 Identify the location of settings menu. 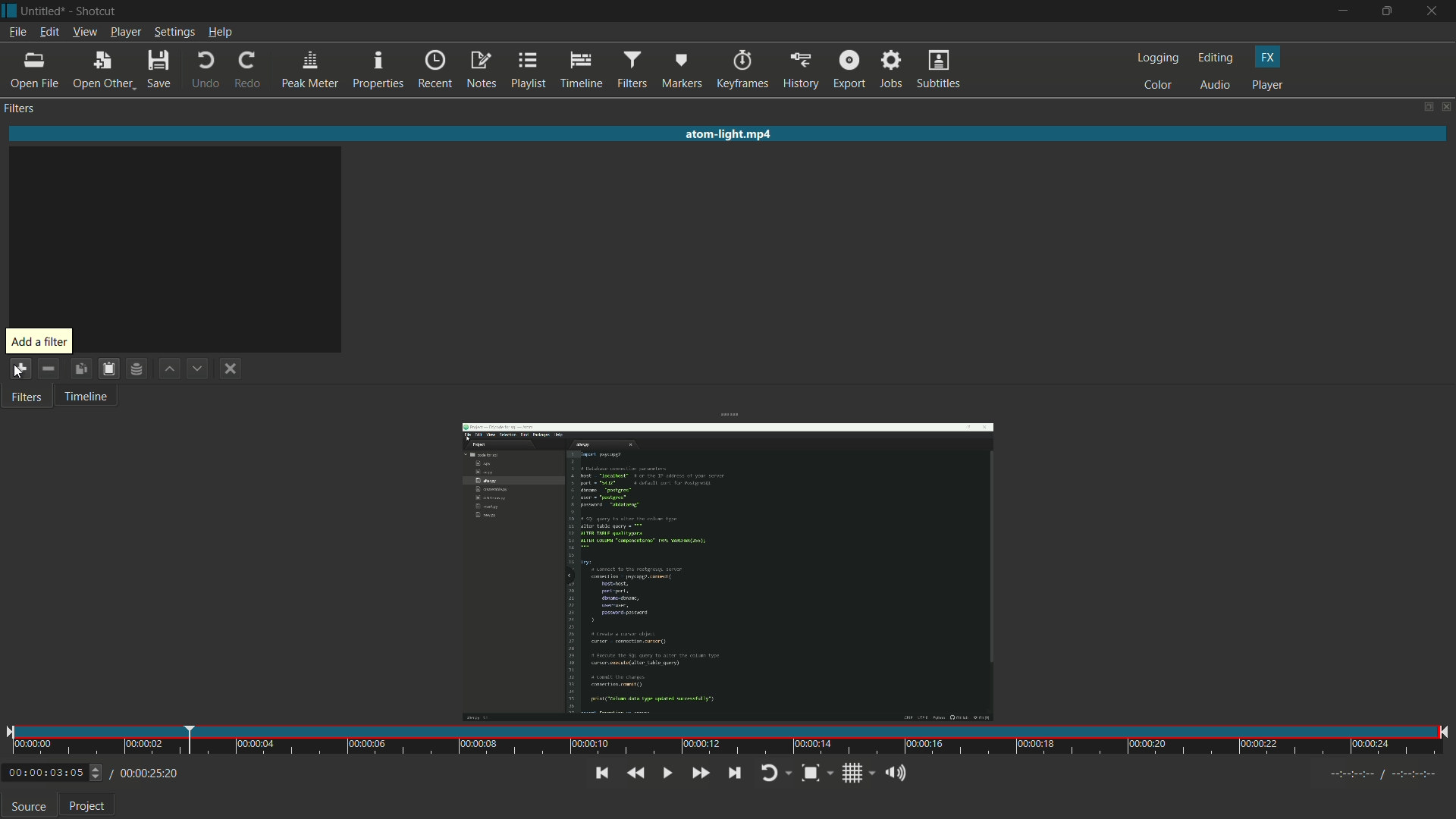
(175, 33).